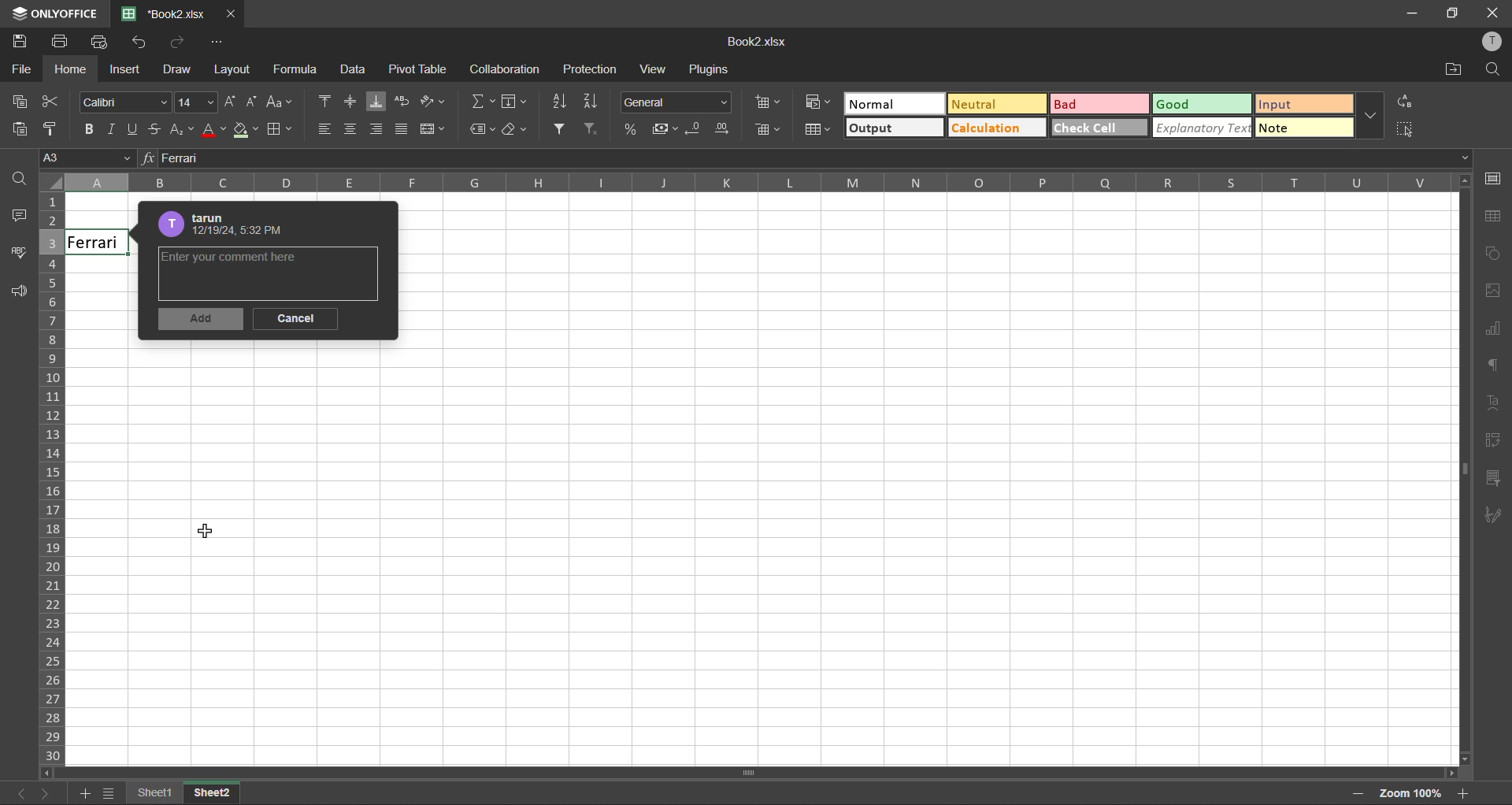  What do you see at coordinates (1087, 131) in the screenshot?
I see `check cell` at bounding box center [1087, 131].